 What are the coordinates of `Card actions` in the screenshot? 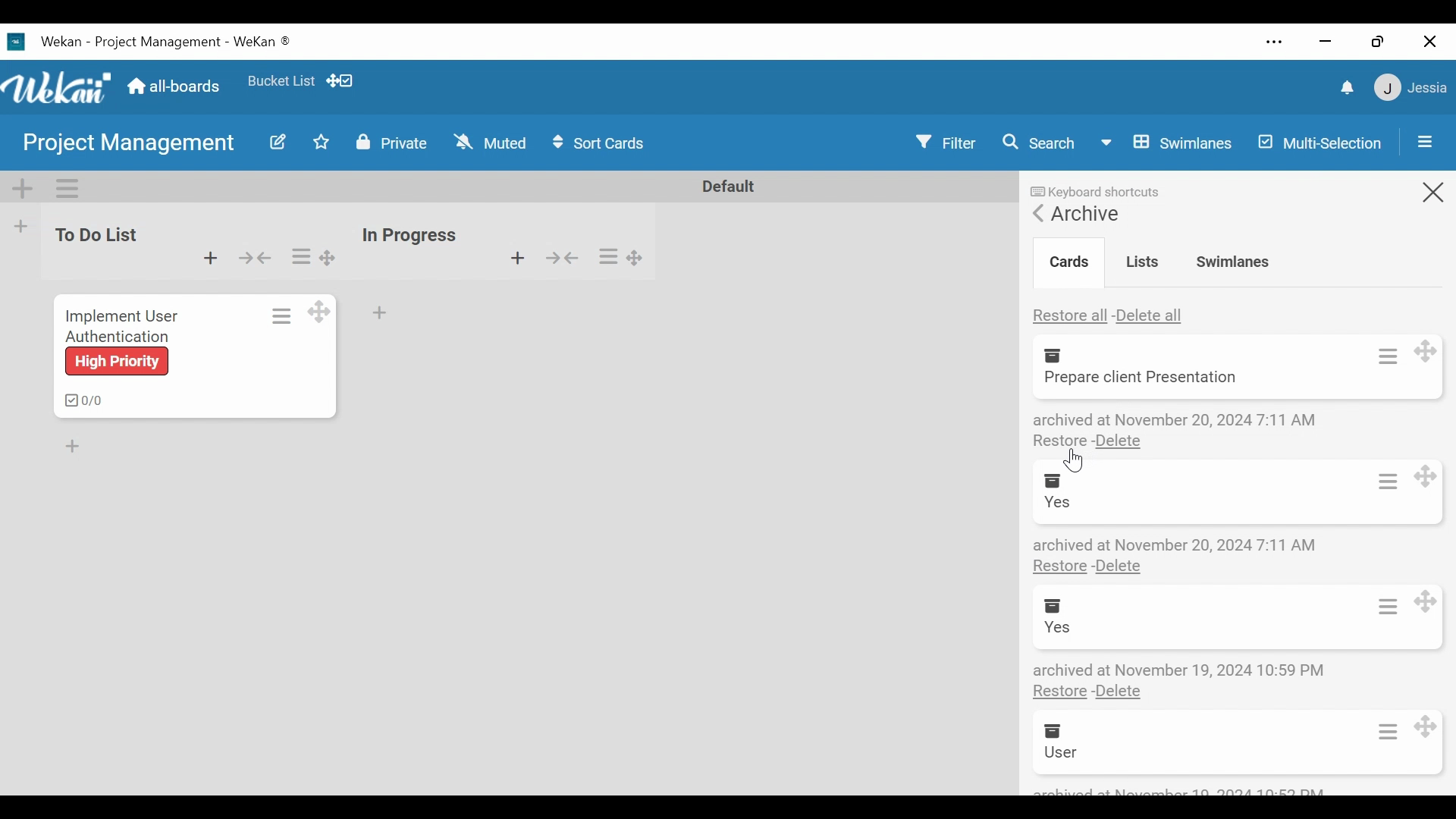 It's located at (281, 315).